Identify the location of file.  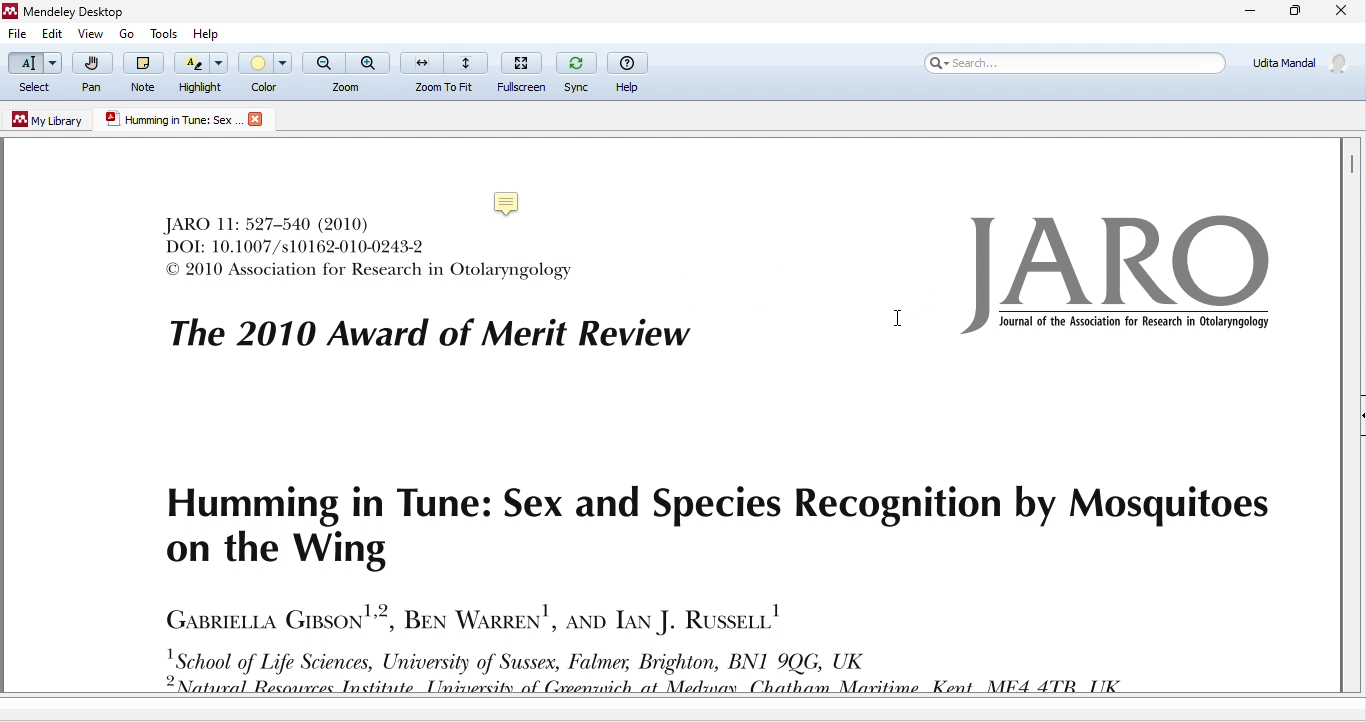
(19, 36).